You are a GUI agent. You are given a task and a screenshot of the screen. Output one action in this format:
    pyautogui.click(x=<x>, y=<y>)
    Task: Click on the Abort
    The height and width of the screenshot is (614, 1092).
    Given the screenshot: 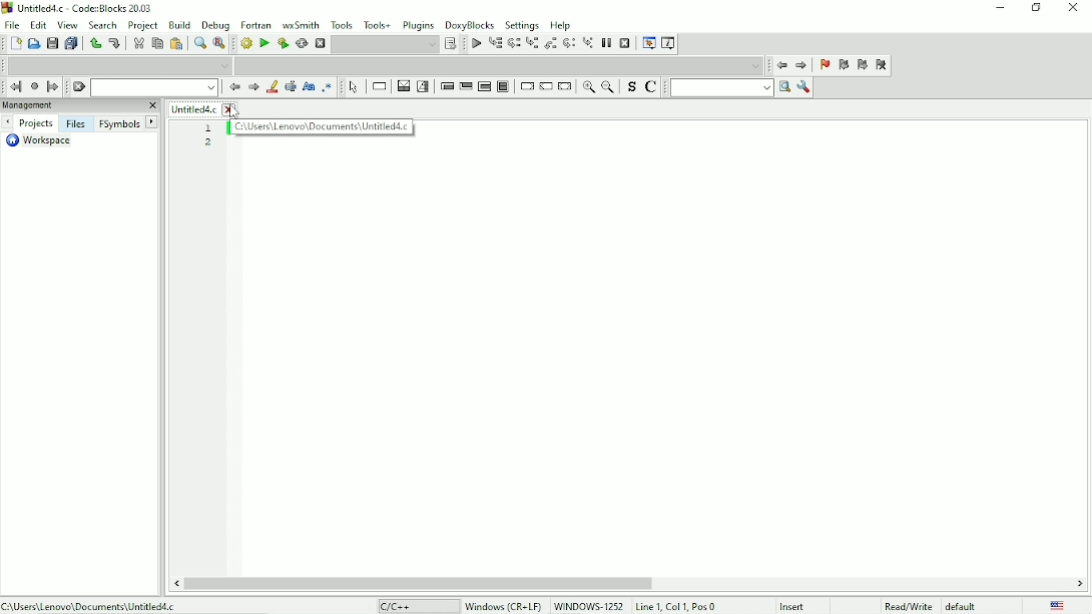 What is the action you would take?
    pyautogui.click(x=319, y=42)
    